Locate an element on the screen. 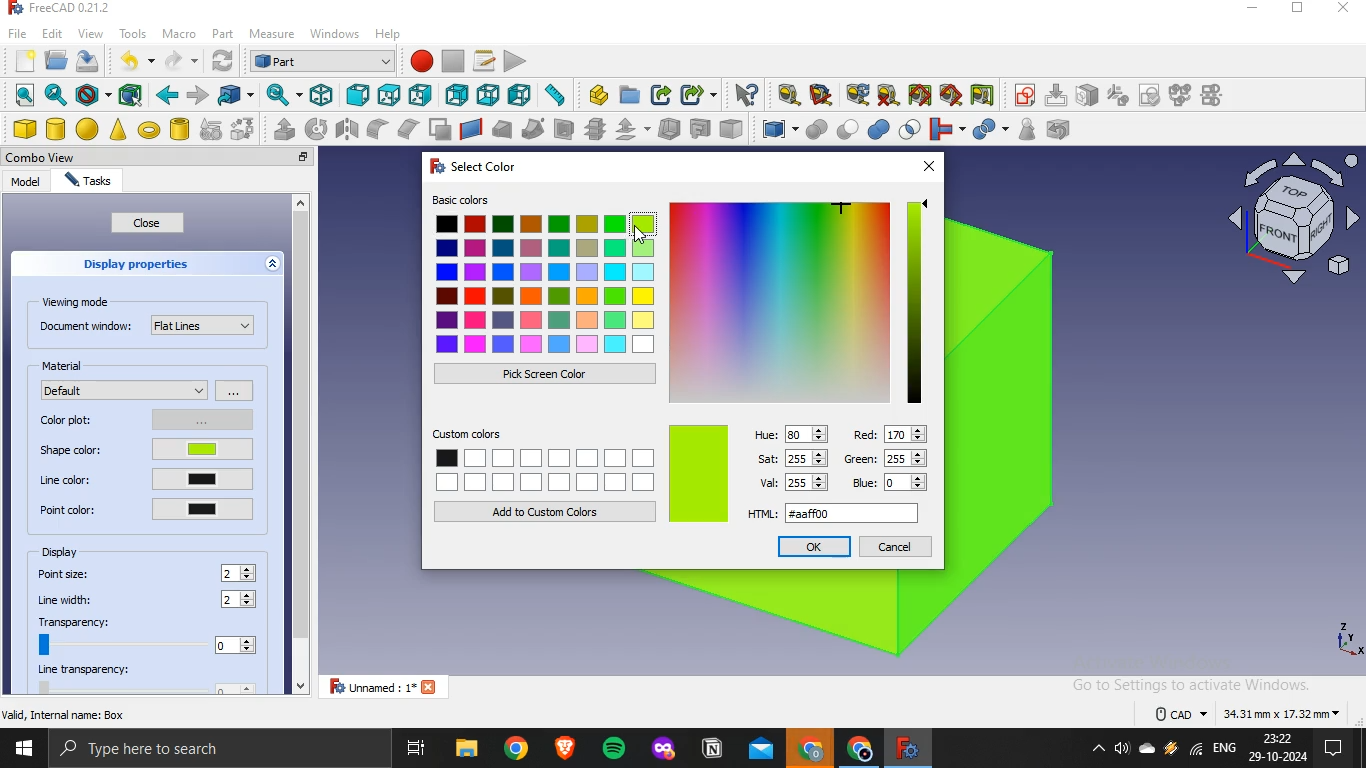  open file is located at coordinates (54, 59).